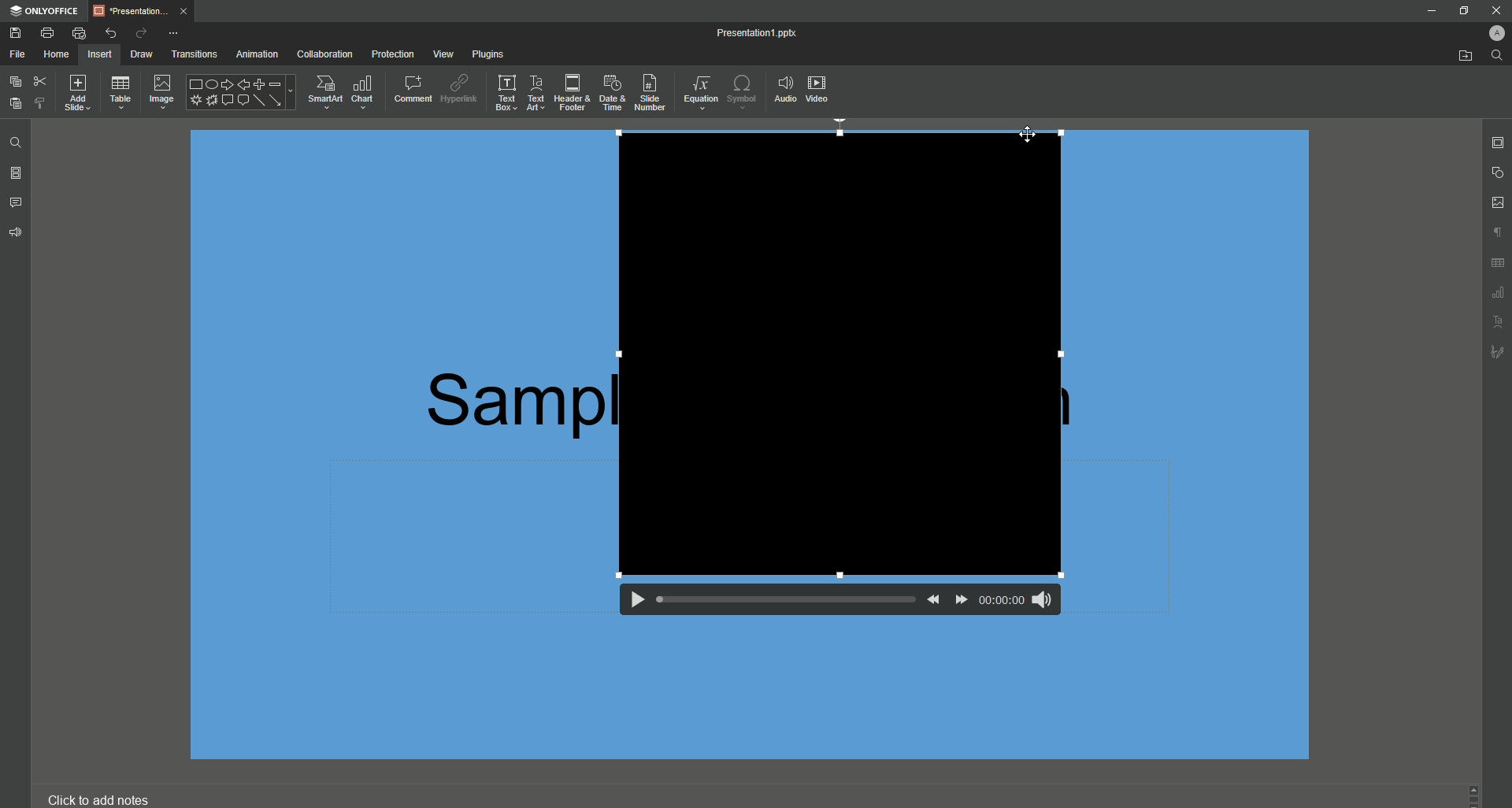  What do you see at coordinates (17, 203) in the screenshot?
I see `Comments` at bounding box center [17, 203].